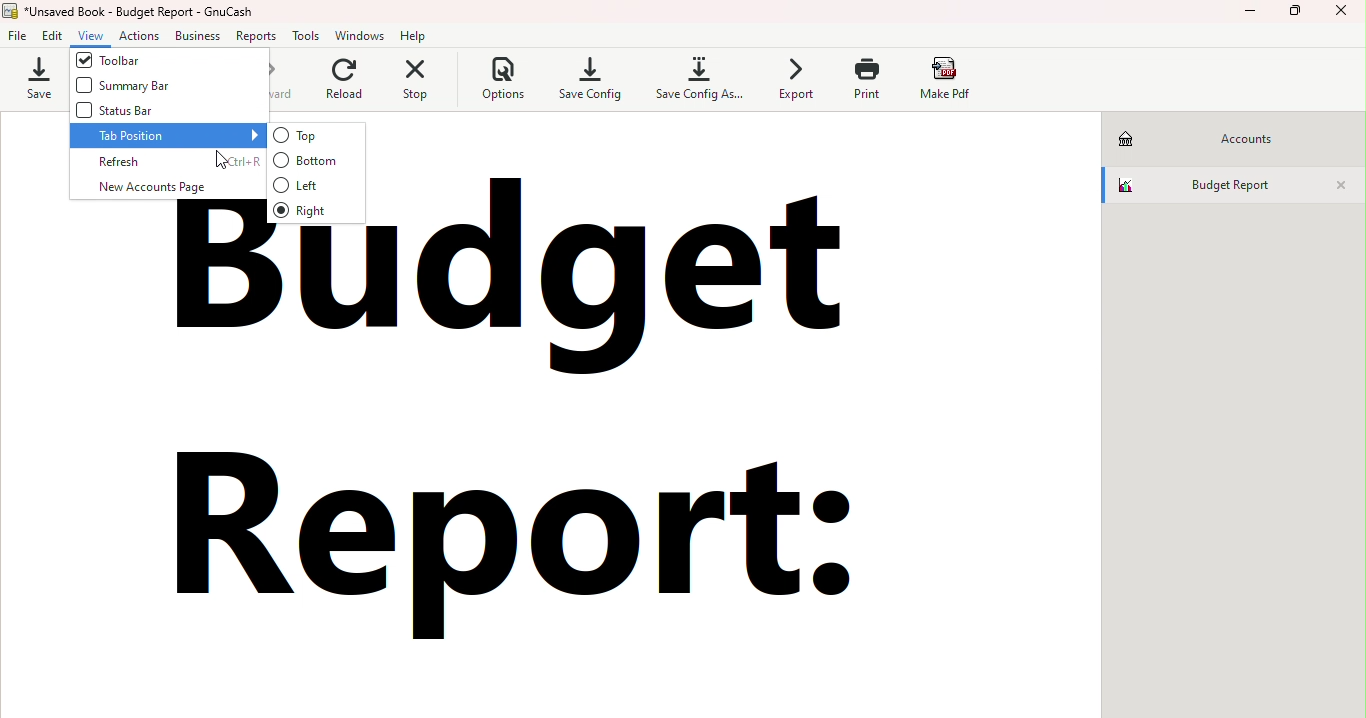 Image resolution: width=1366 pixels, height=718 pixels. What do you see at coordinates (168, 185) in the screenshot?
I see `New account` at bounding box center [168, 185].